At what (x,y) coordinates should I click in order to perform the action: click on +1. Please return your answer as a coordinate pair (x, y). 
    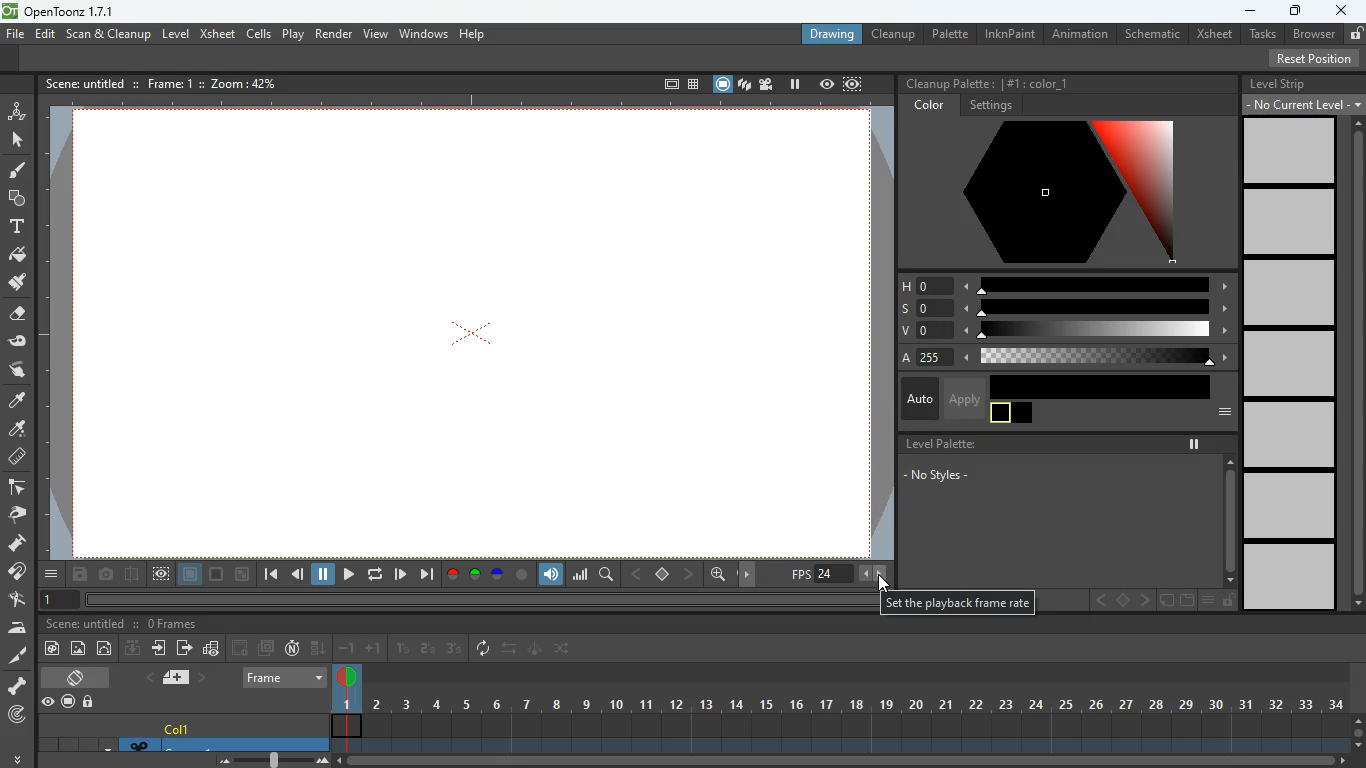
    Looking at the image, I should click on (374, 648).